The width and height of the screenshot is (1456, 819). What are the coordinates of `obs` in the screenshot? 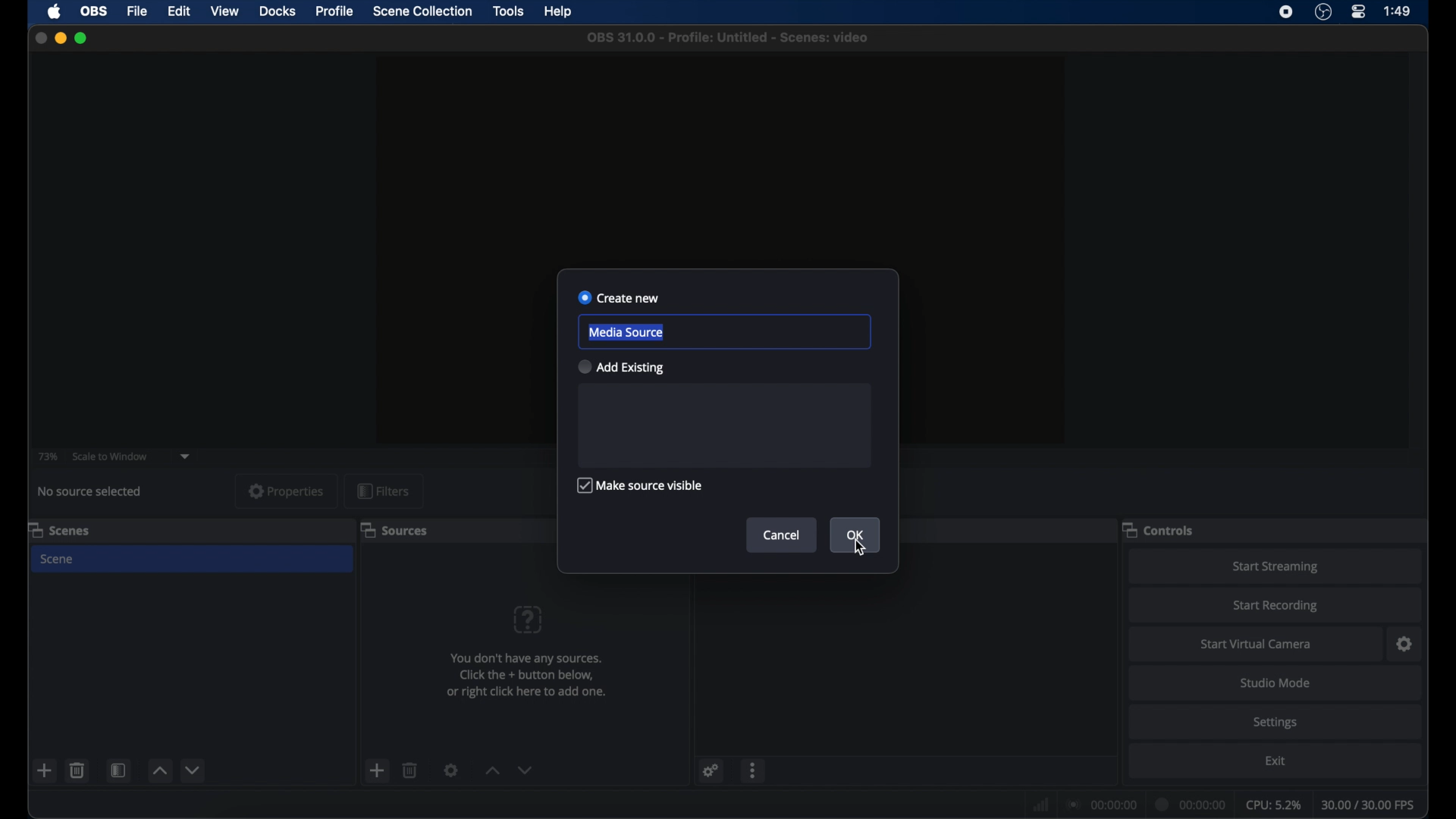 It's located at (93, 11).